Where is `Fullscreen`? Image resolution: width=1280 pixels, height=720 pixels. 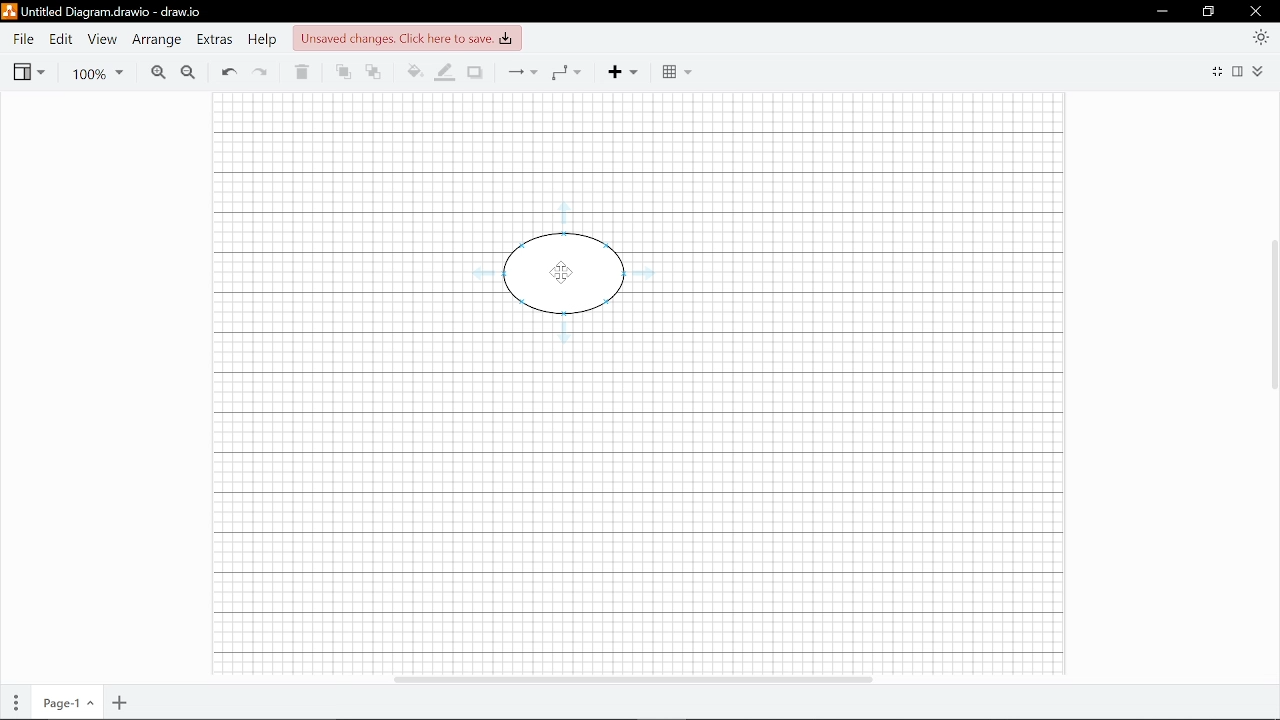 Fullscreen is located at coordinates (1219, 70).